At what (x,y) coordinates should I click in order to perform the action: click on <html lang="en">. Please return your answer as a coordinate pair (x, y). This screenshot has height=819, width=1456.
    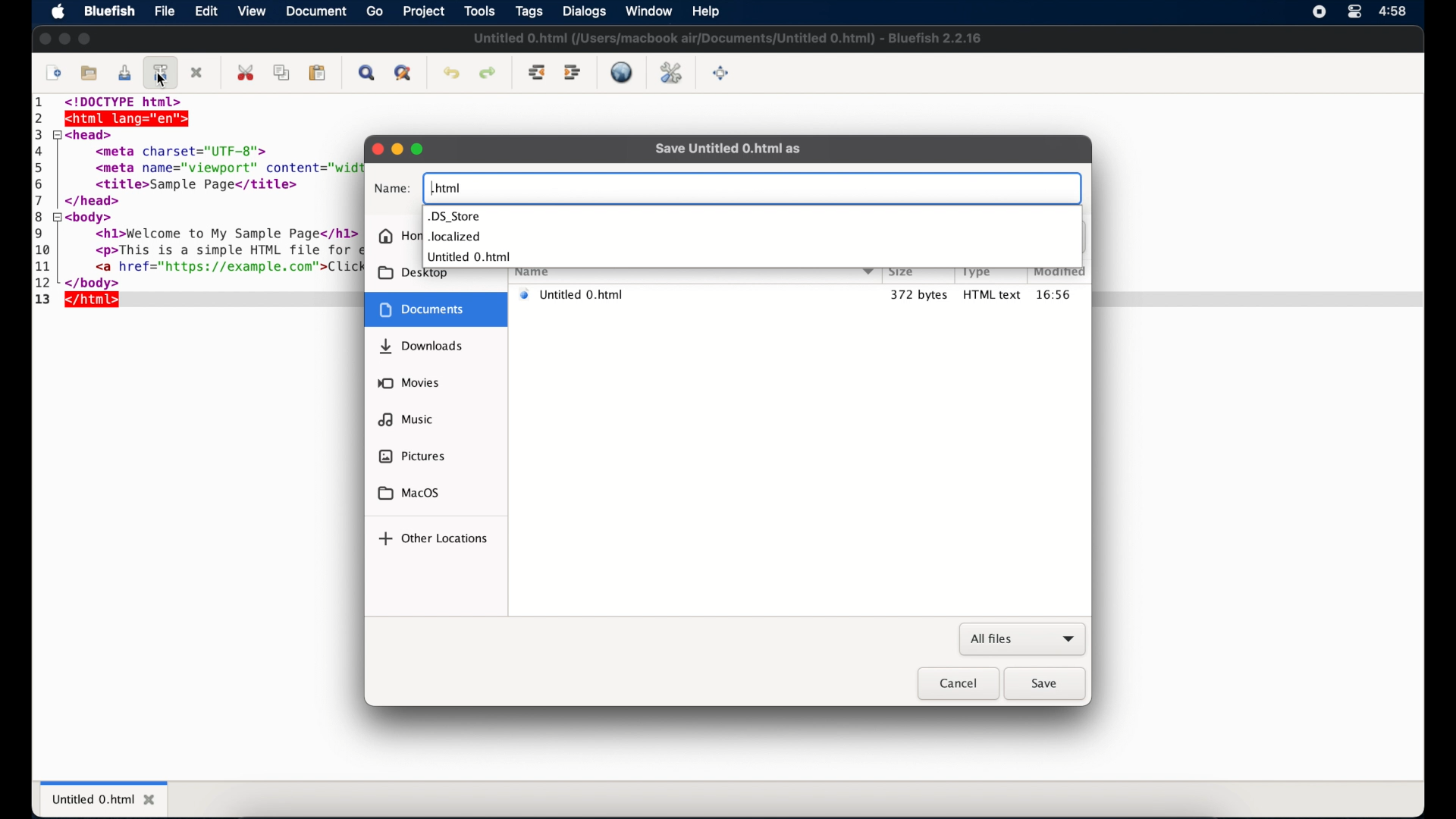
    Looking at the image, I should click on (130, 118).